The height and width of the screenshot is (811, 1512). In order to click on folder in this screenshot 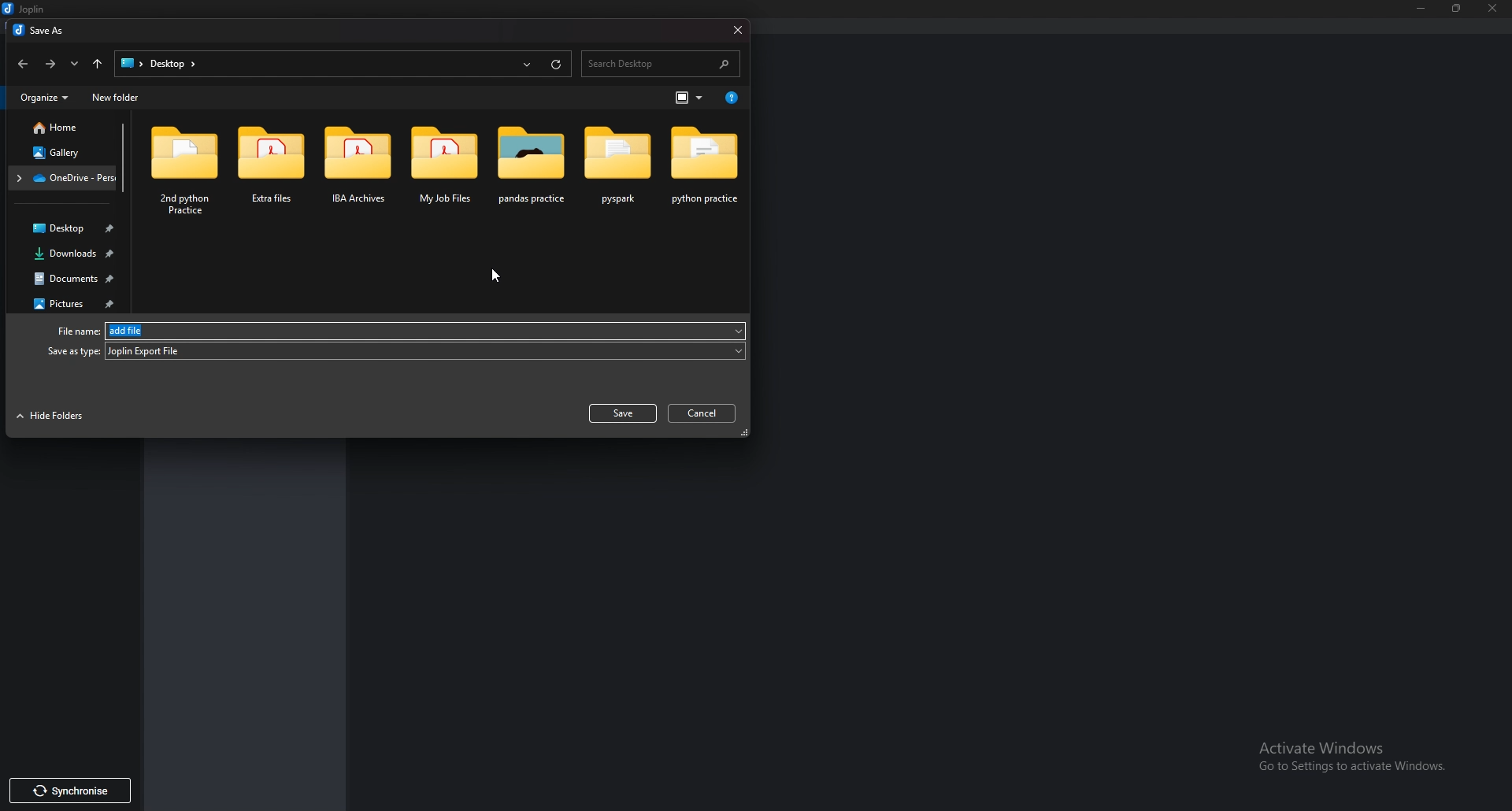, I will do `click(442, 165)`.